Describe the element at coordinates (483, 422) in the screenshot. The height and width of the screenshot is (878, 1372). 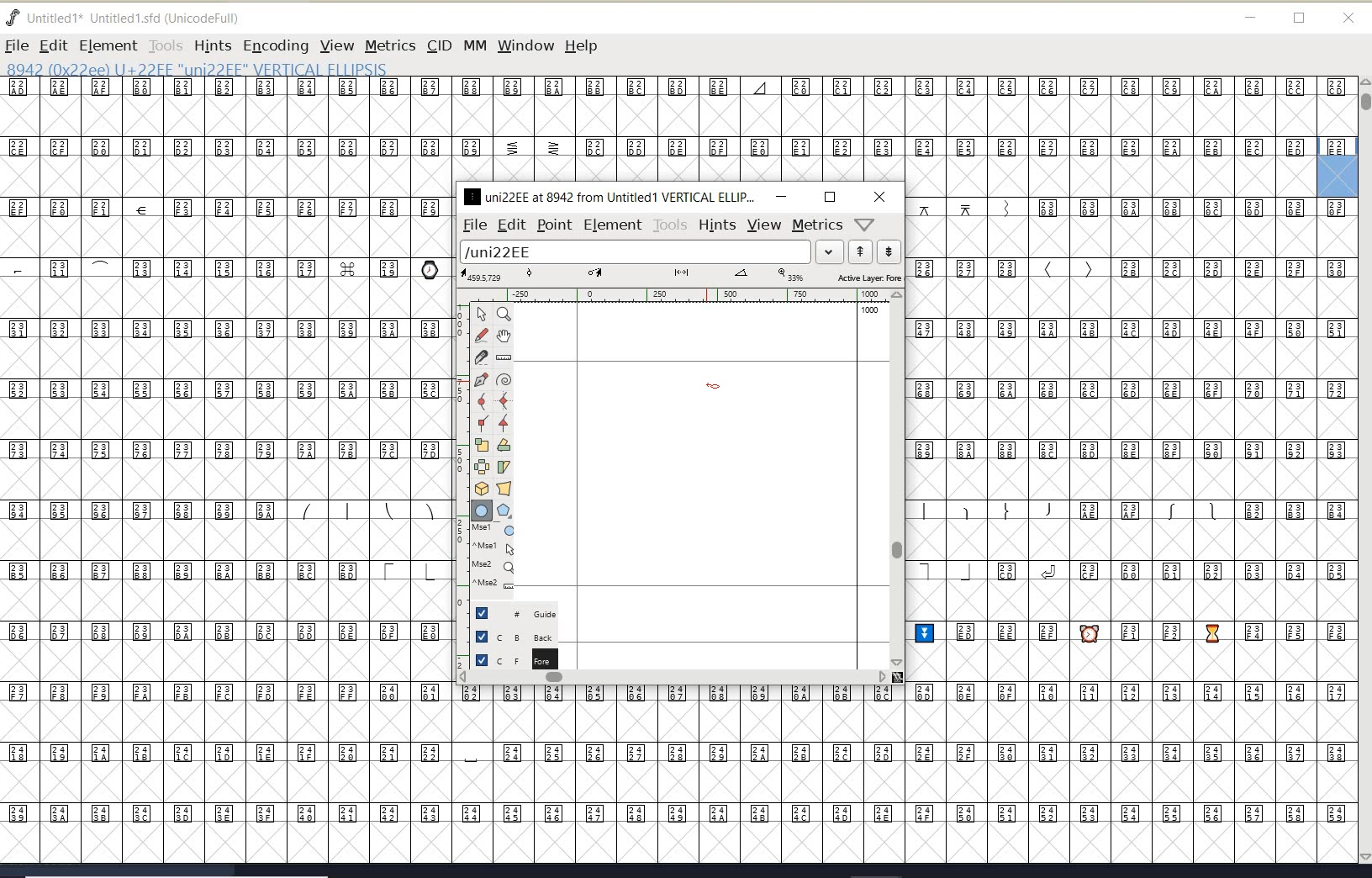
I see `add a corner point` at that location.